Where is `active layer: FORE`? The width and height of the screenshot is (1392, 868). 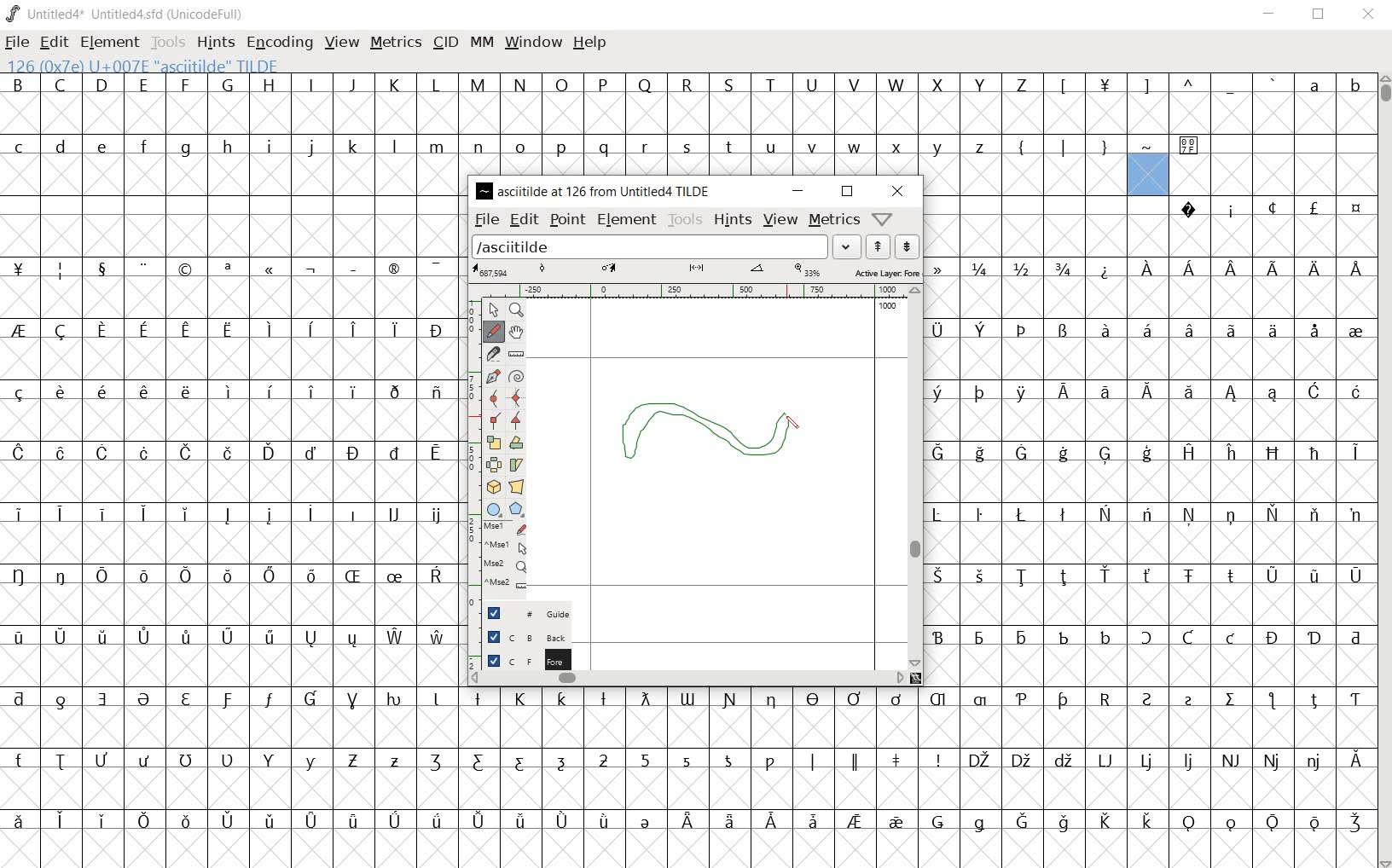
active layer: FORE is located at coordinates (694, 271).